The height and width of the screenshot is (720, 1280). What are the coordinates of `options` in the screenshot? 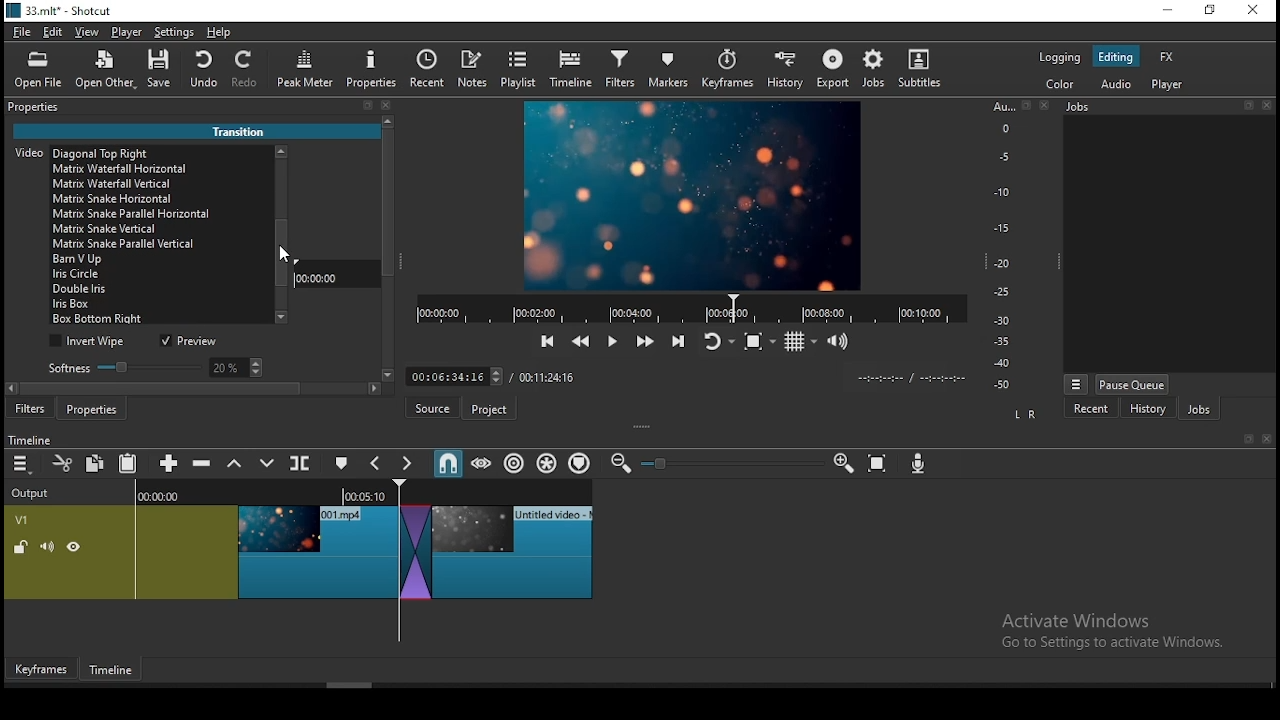 It's located at (1076, 382).